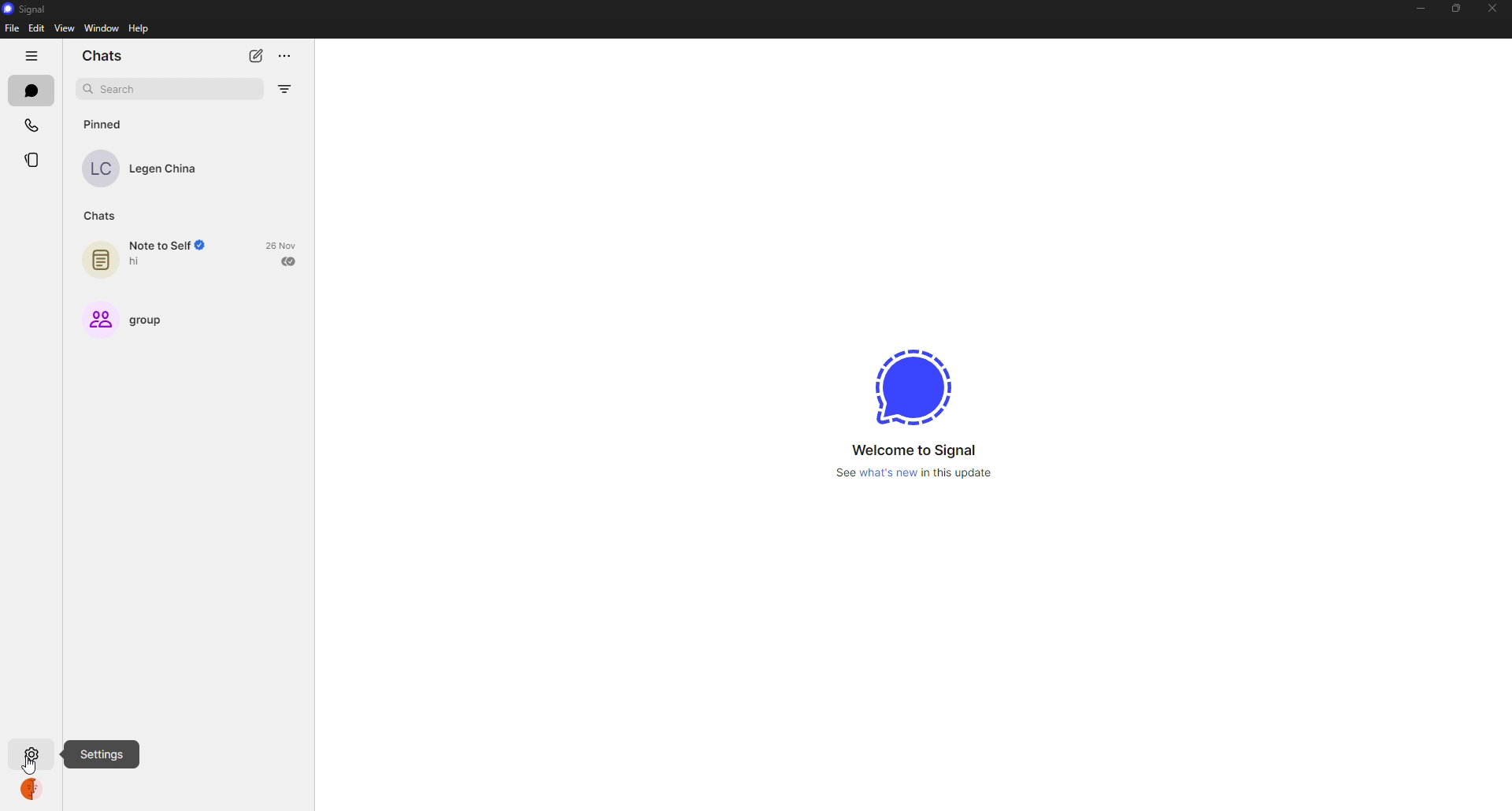 This screenshot has width=1512, height=811. What do you see at coordinates (34, 56) in the screenshot?
I see `hide tabs` at bounding box center [34, 56].